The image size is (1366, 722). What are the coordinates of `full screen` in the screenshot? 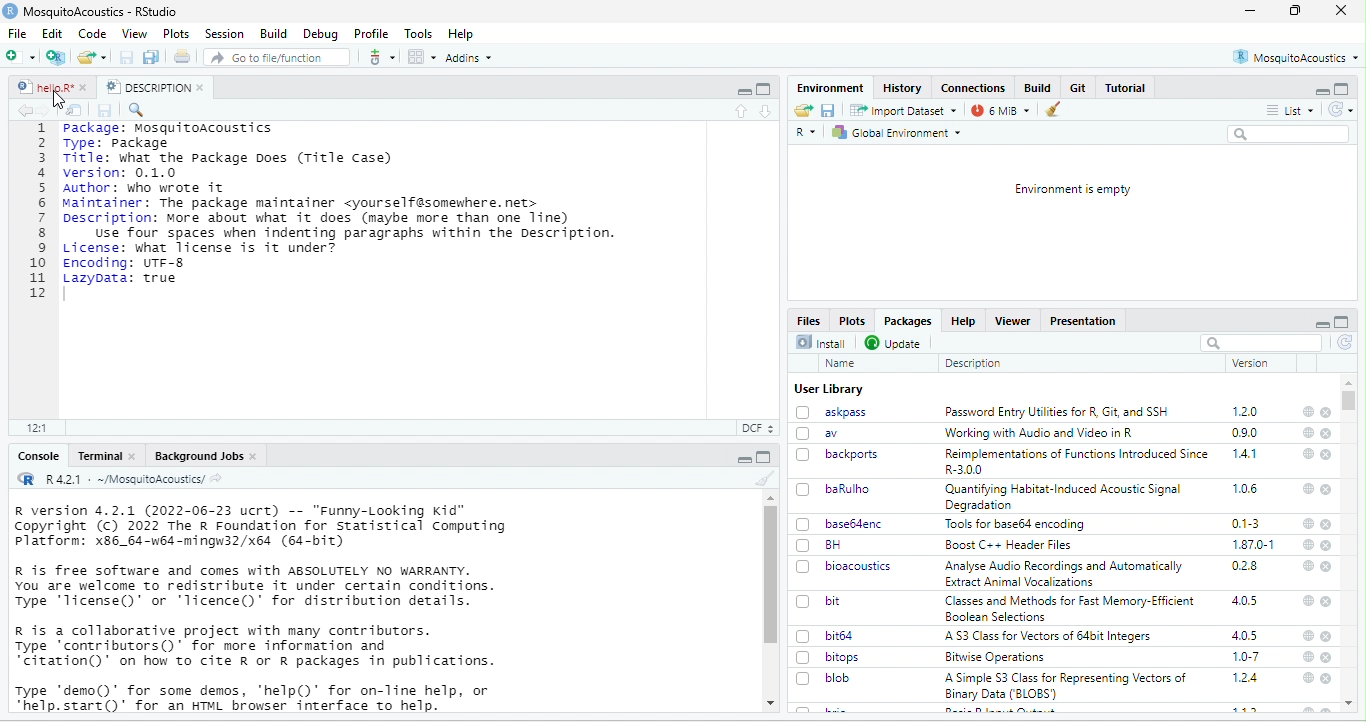 It's located at (1342, 322).